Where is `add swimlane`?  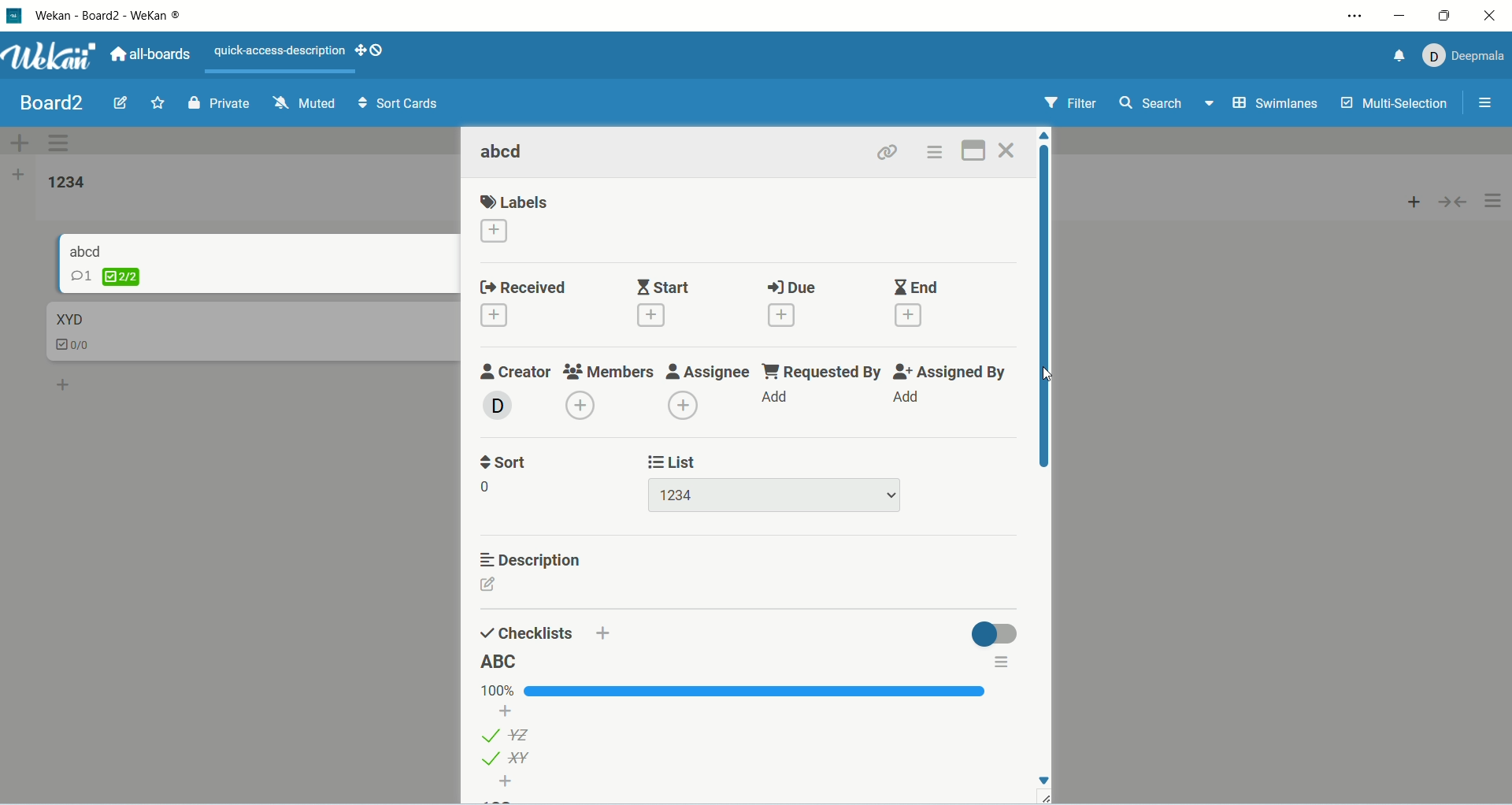
add swimlane is located at coordinates (16, 139).